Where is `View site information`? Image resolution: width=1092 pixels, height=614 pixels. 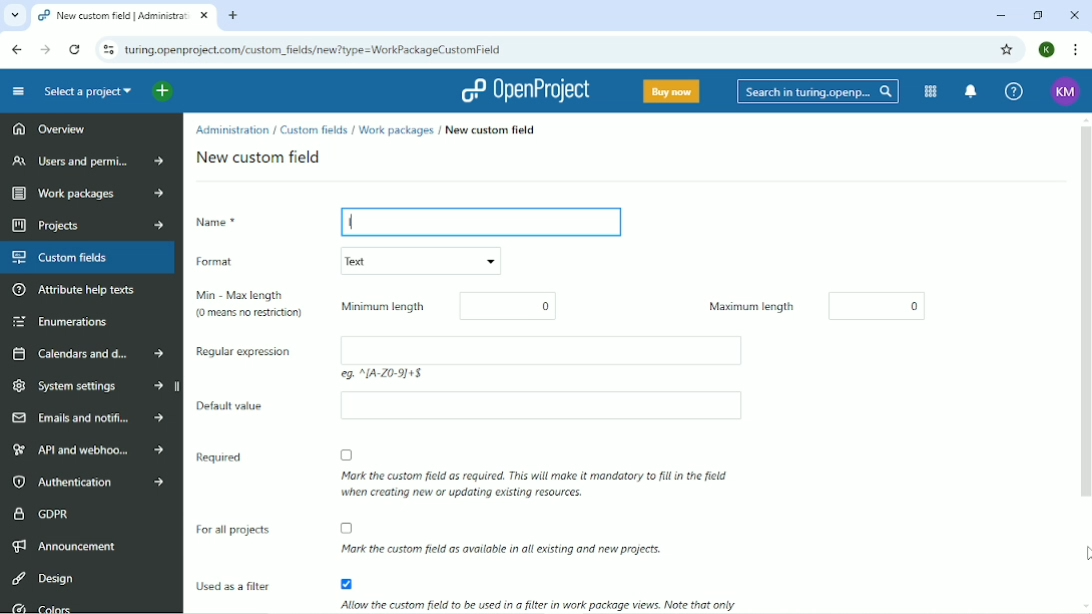
View site information is located at coordinates (107, 50).